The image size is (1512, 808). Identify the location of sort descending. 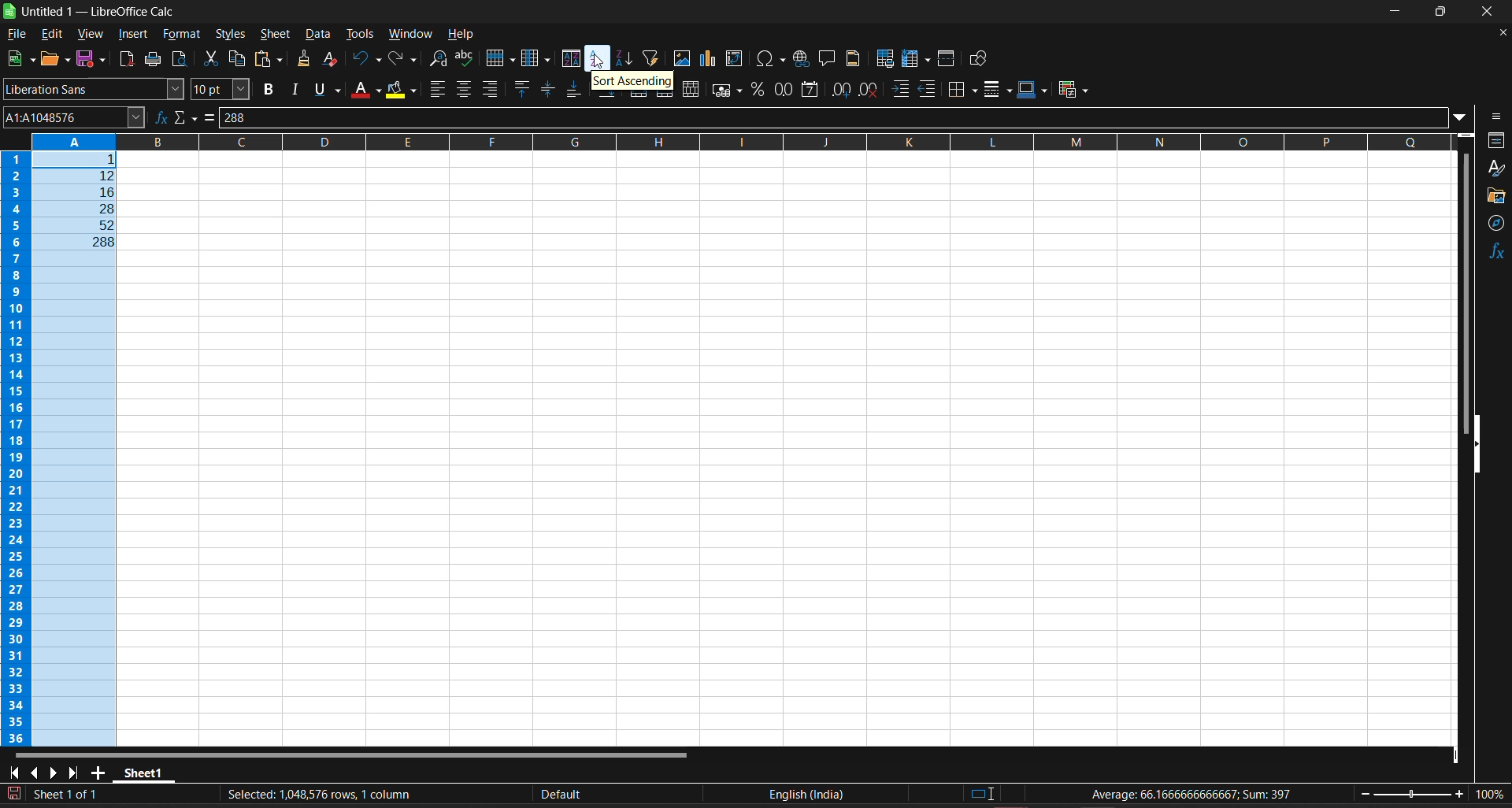
(625, 60).